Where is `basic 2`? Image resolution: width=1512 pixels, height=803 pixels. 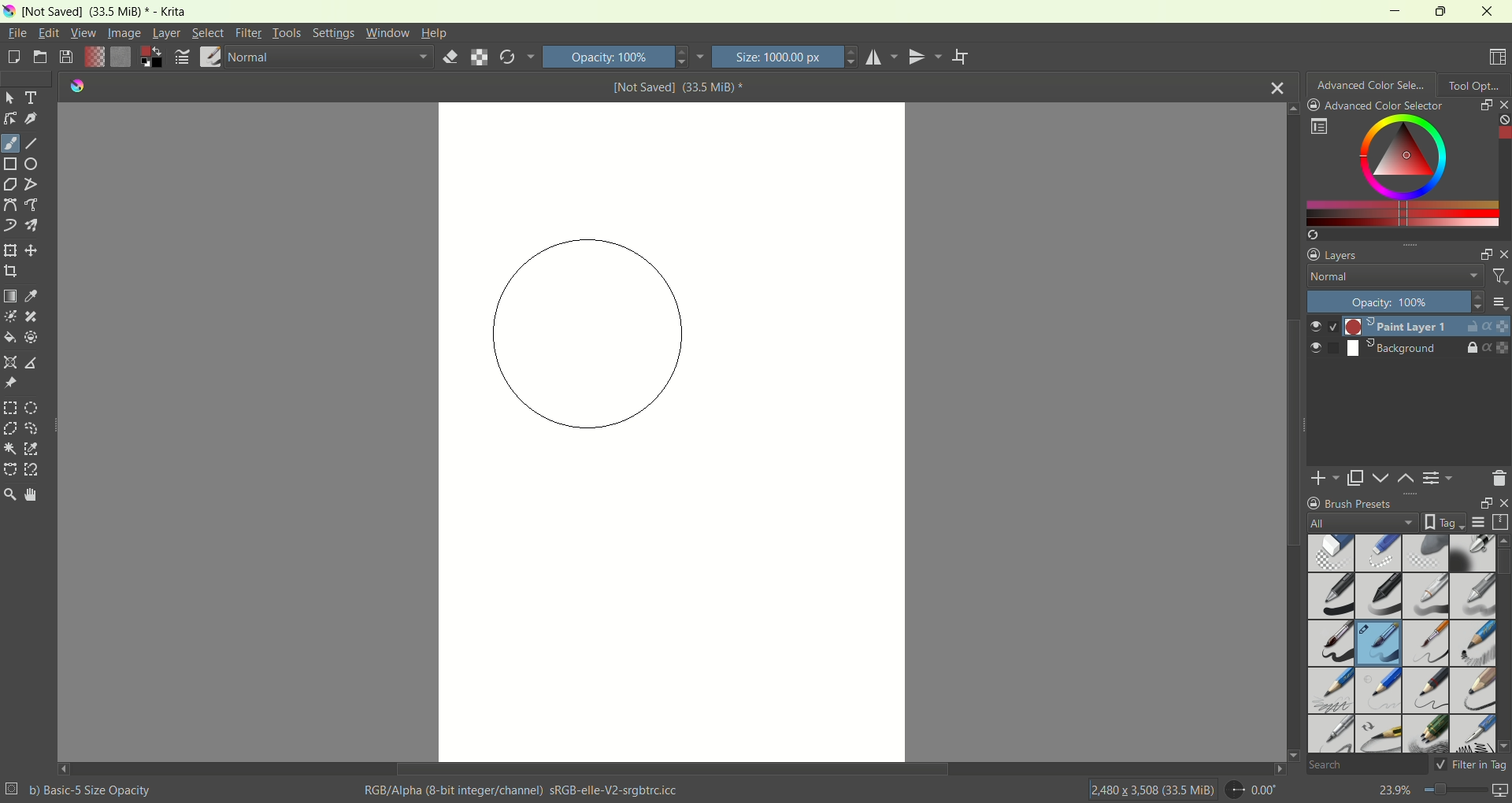
basic 2 is located at coordinates (1380, 596).